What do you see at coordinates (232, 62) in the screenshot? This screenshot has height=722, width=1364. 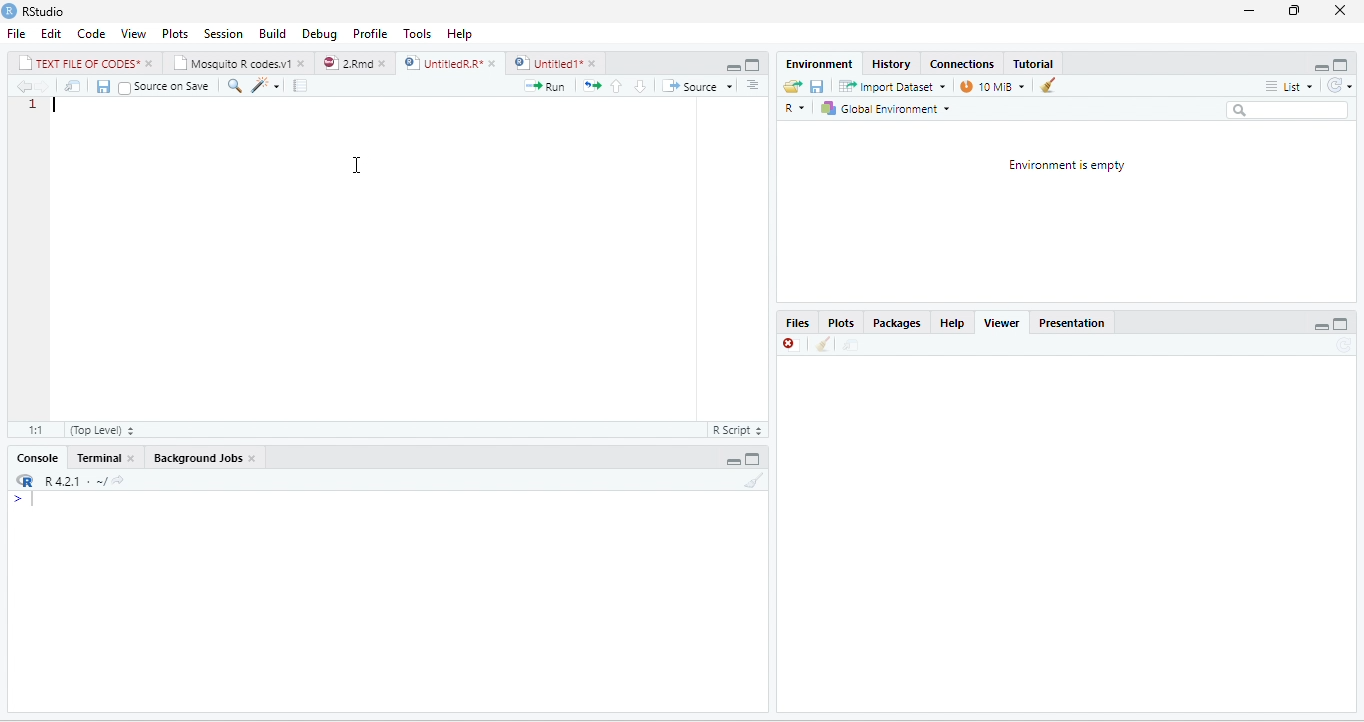 I see `‘Mosquito R codes.v1` at bounding box center [232, 62].